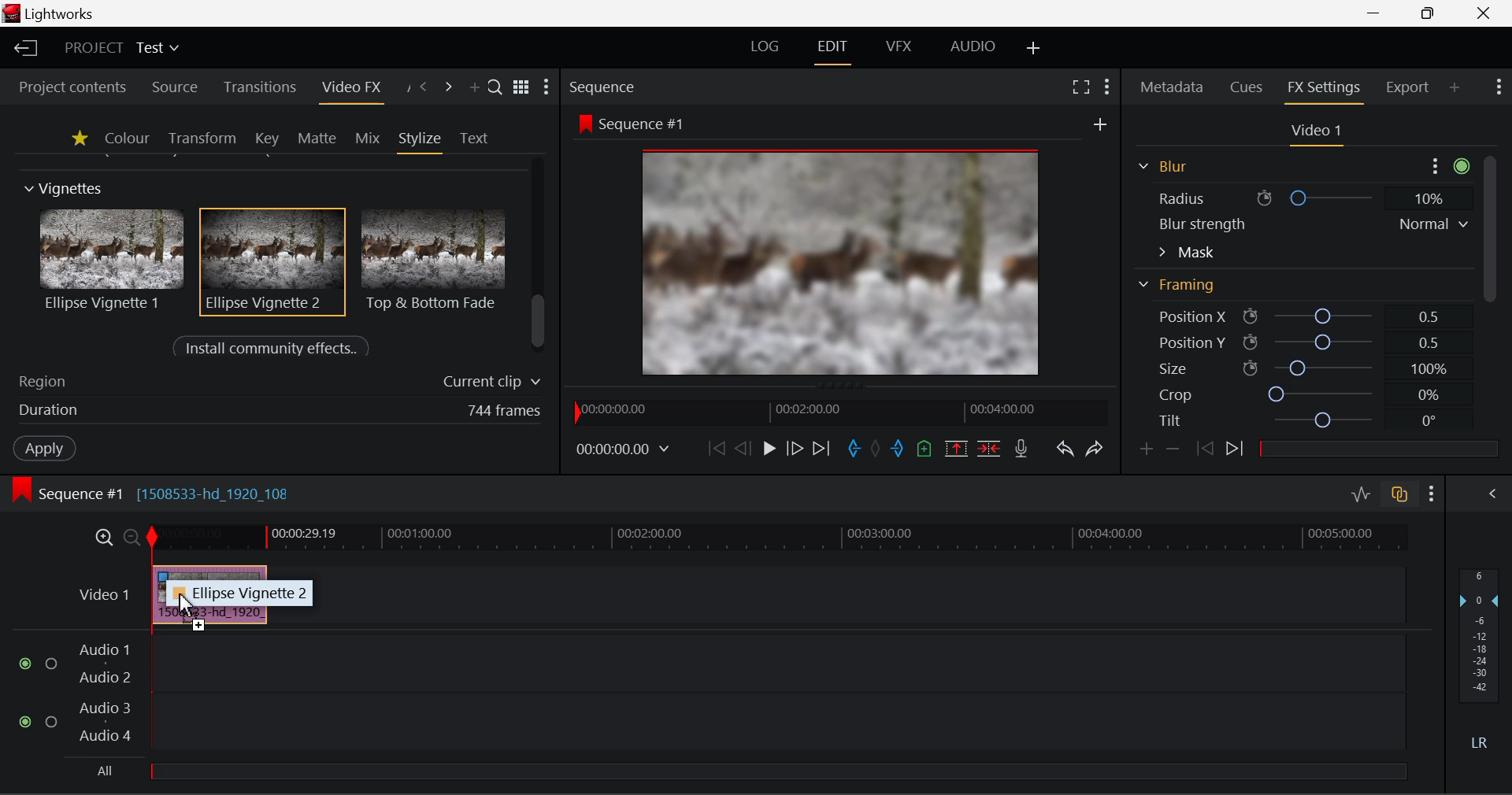  Describe the element at coordinates (367, 137) in the screenshot. I see `Mix` at that location.